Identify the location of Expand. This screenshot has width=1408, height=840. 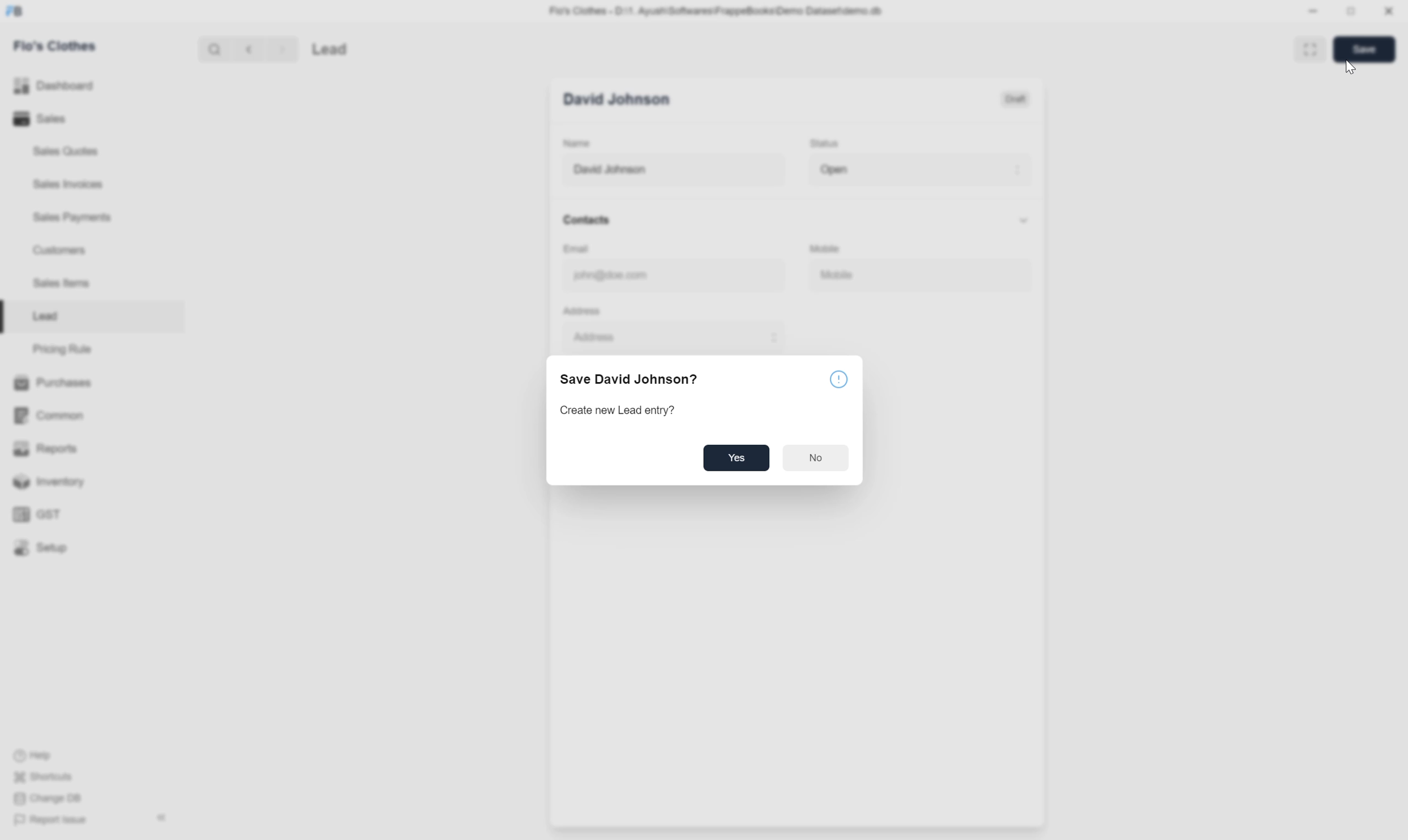
(1306, 49).